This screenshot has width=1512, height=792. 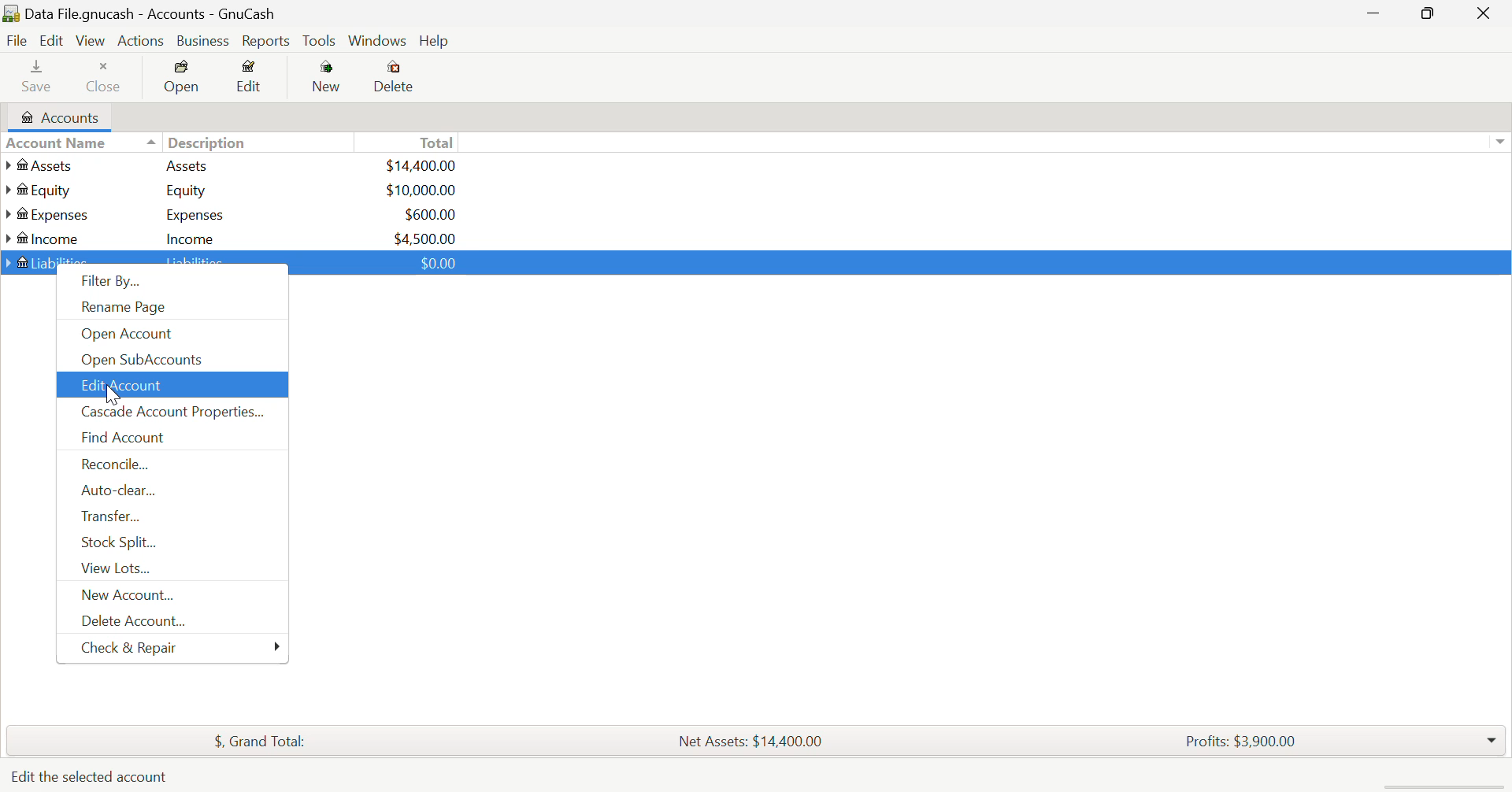 I want to click on Reconcile, so click(x=172, y=464).